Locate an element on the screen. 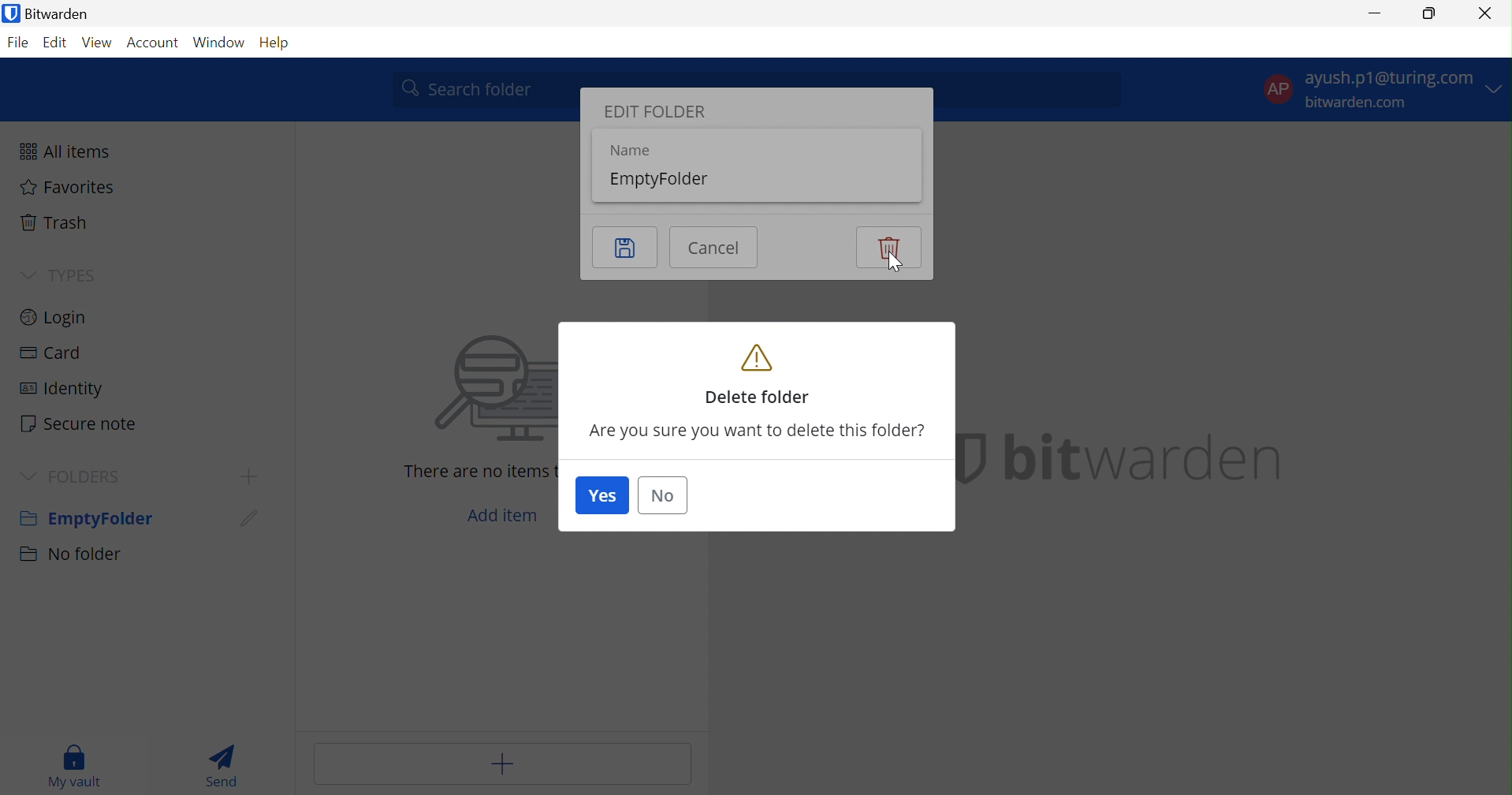 This screenshot has width=1512, height=795. Cancel is located at coordinates (715, 246).